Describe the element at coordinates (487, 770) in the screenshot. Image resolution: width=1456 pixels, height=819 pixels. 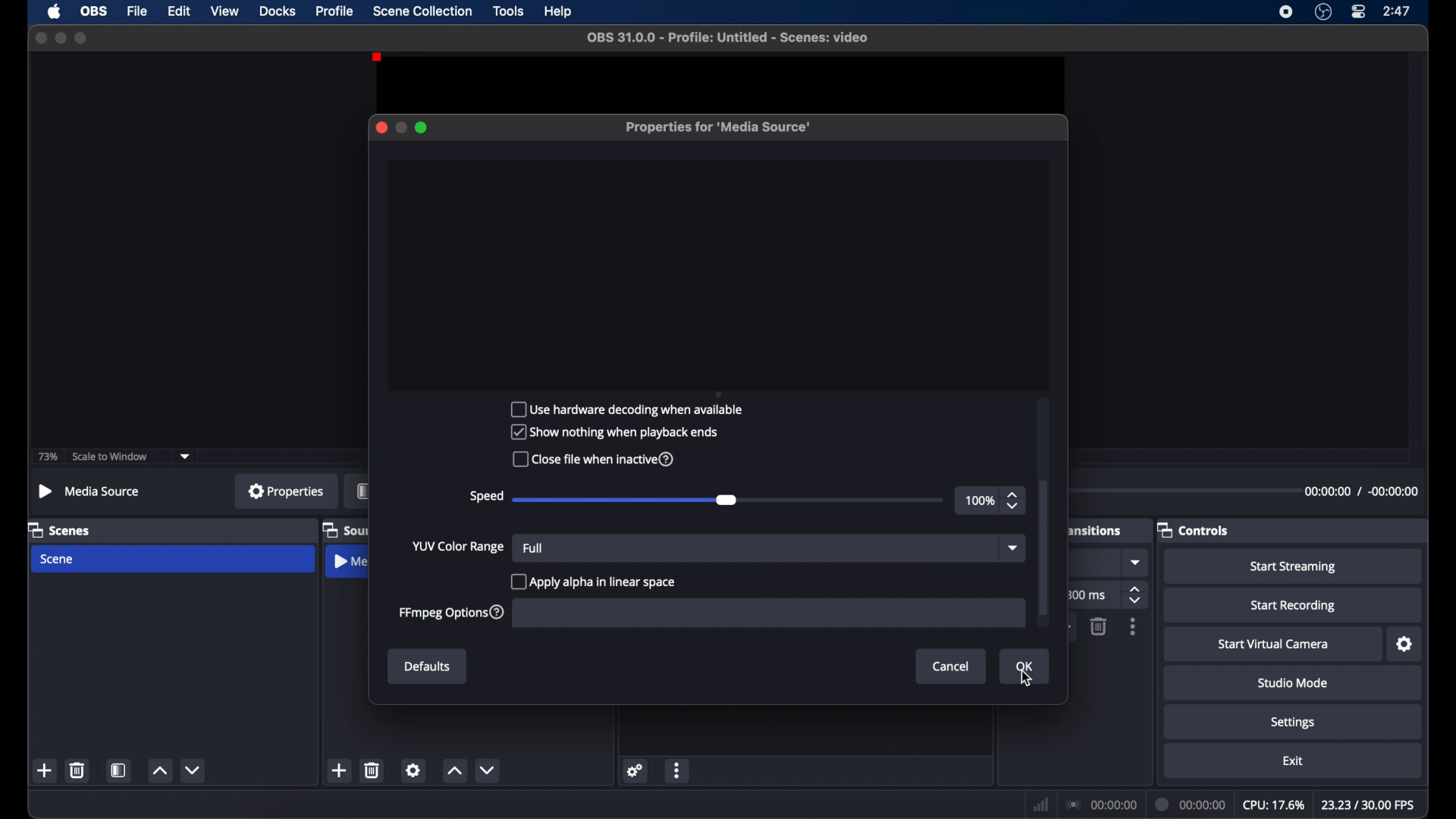
I see `decrement button` at that location.